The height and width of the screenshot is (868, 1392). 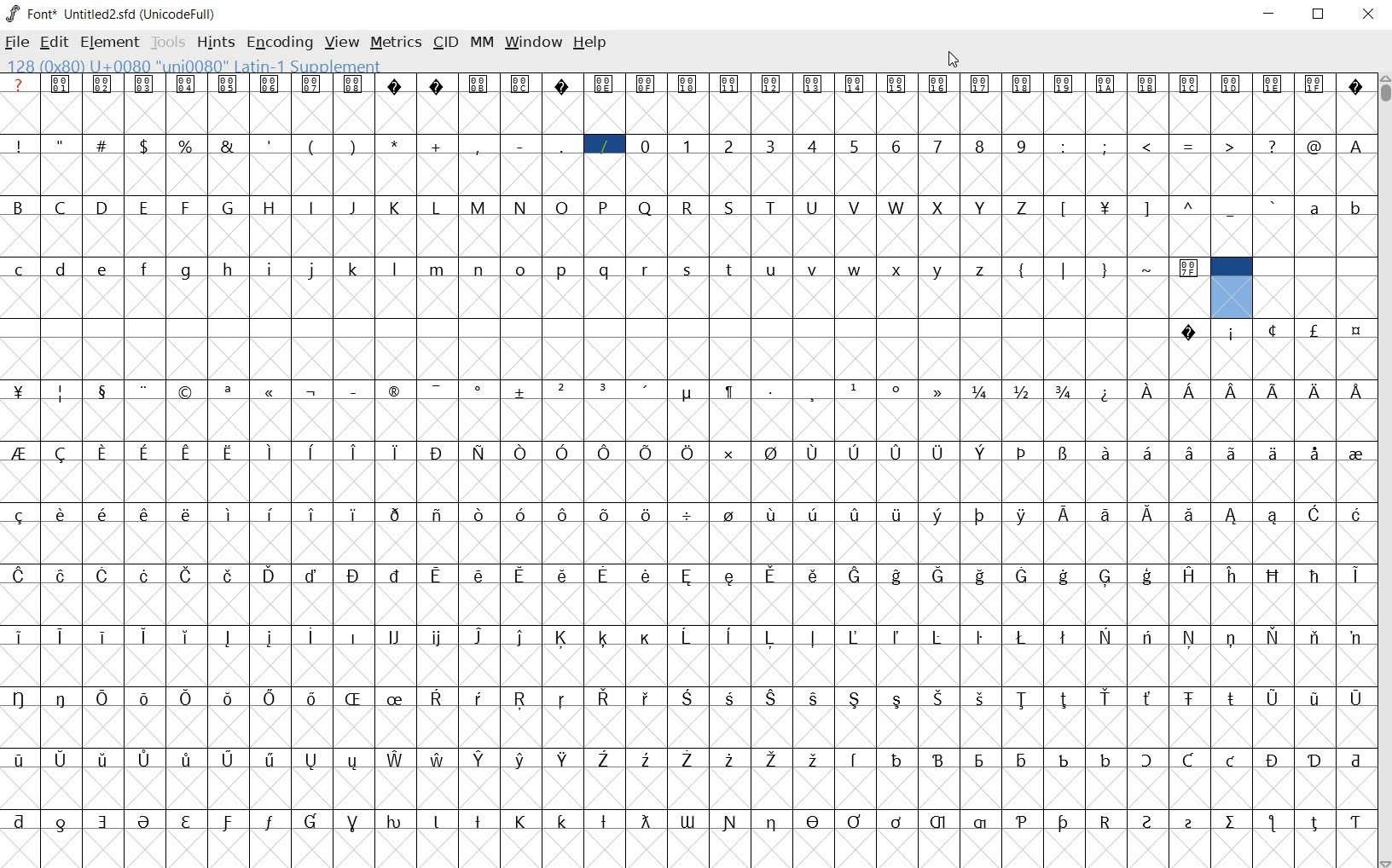 What do you see at coordinates (272, 514) in the screenshot?
I see `Symbol` at bounding box center [272, 514].